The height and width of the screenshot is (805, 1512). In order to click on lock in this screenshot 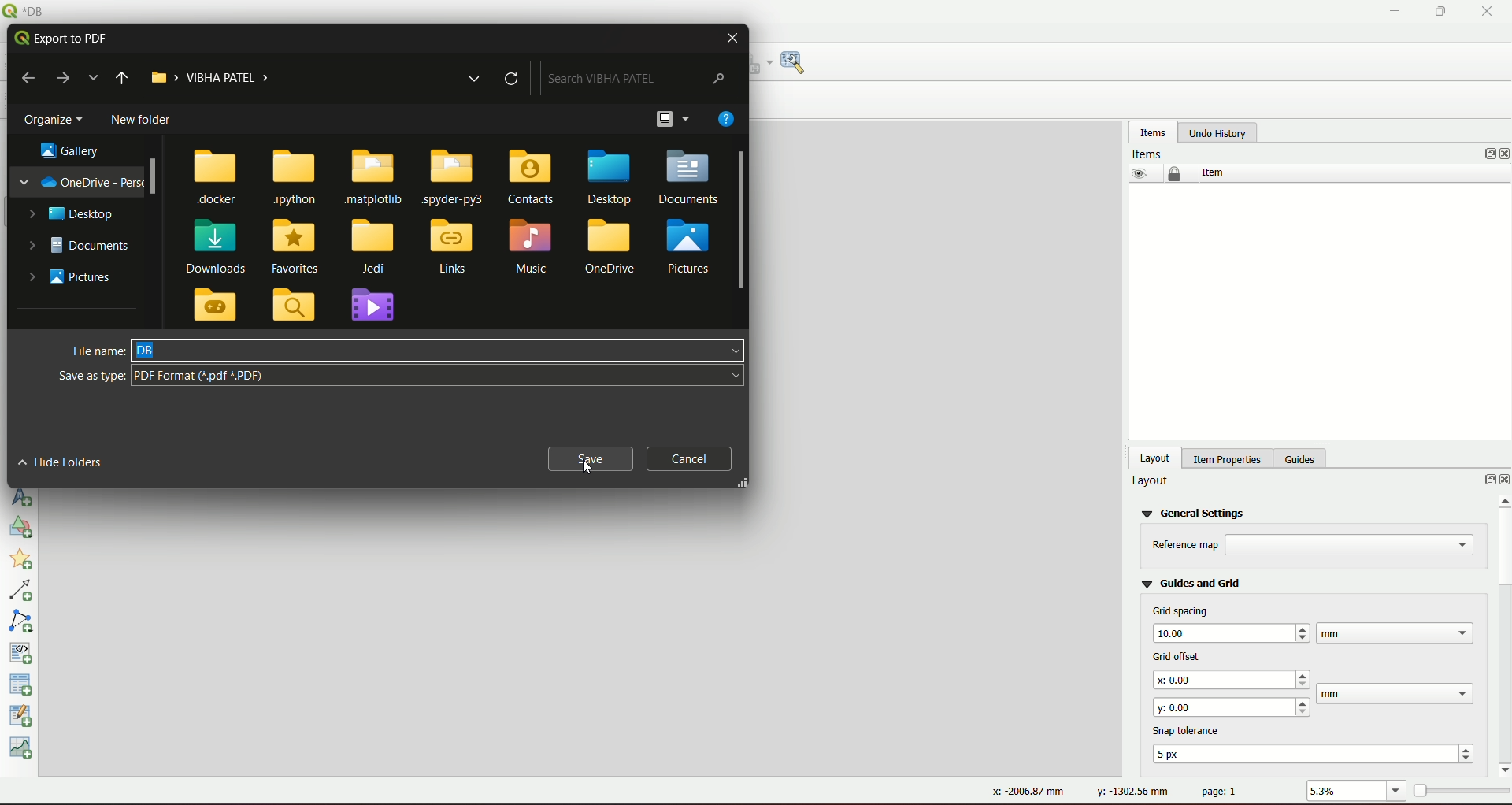, I will do `click(1175, 174)`.